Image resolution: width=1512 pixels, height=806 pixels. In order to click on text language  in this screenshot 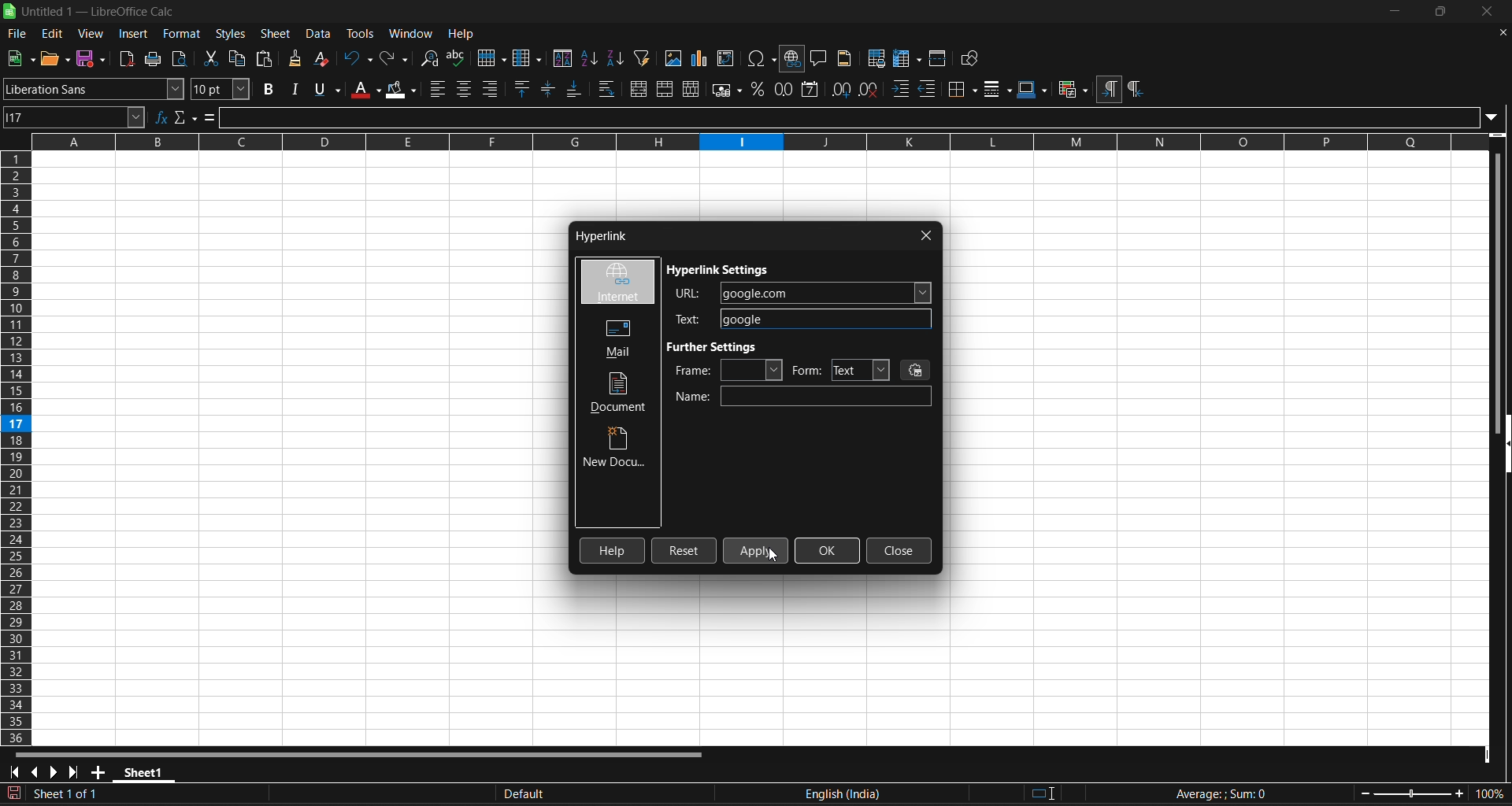, I will do `click(904, 794)`.